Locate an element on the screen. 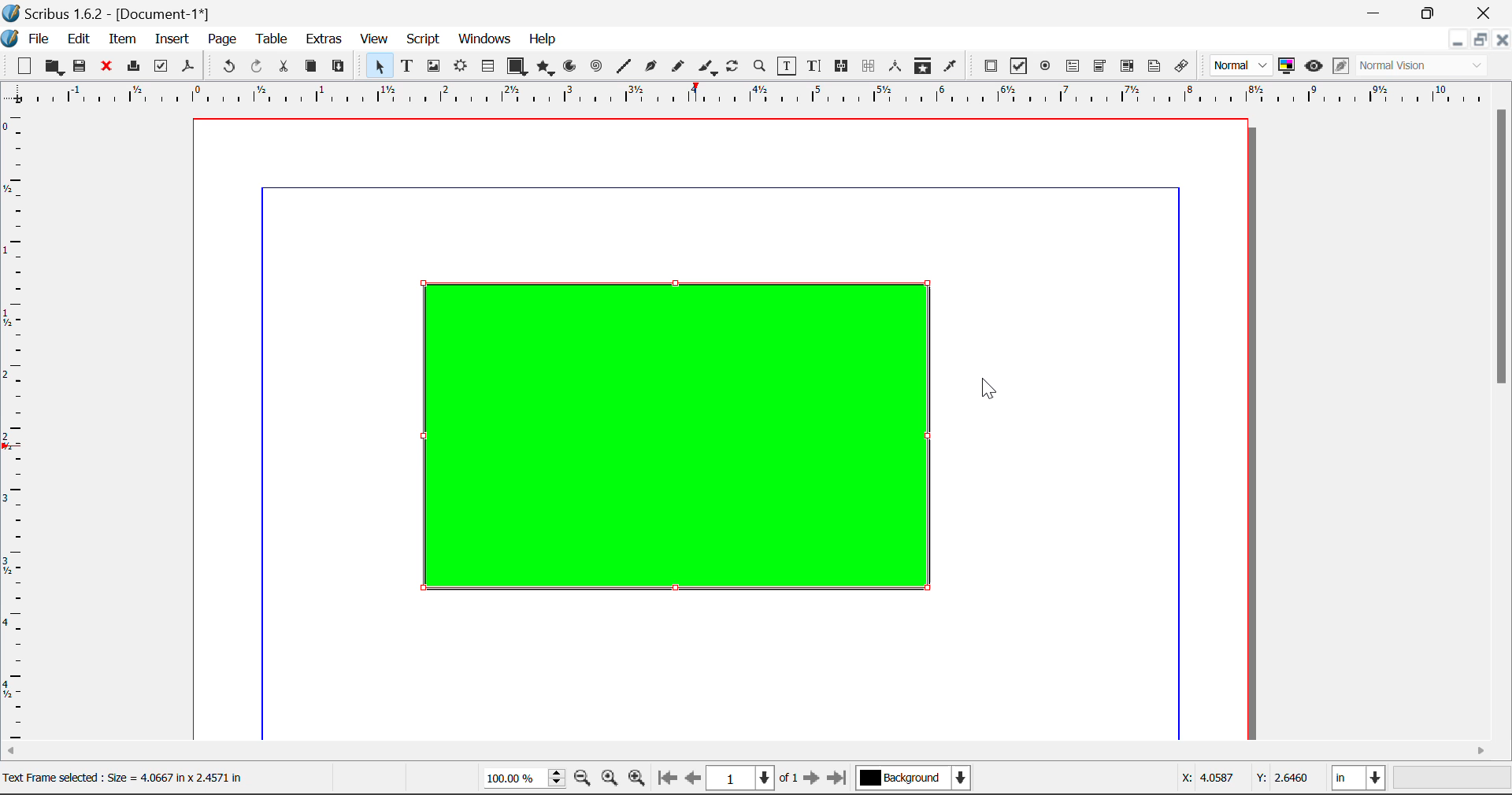 The width and height of the screenshot is (1512, 795). Zoom is located at coordinates (761, 65).